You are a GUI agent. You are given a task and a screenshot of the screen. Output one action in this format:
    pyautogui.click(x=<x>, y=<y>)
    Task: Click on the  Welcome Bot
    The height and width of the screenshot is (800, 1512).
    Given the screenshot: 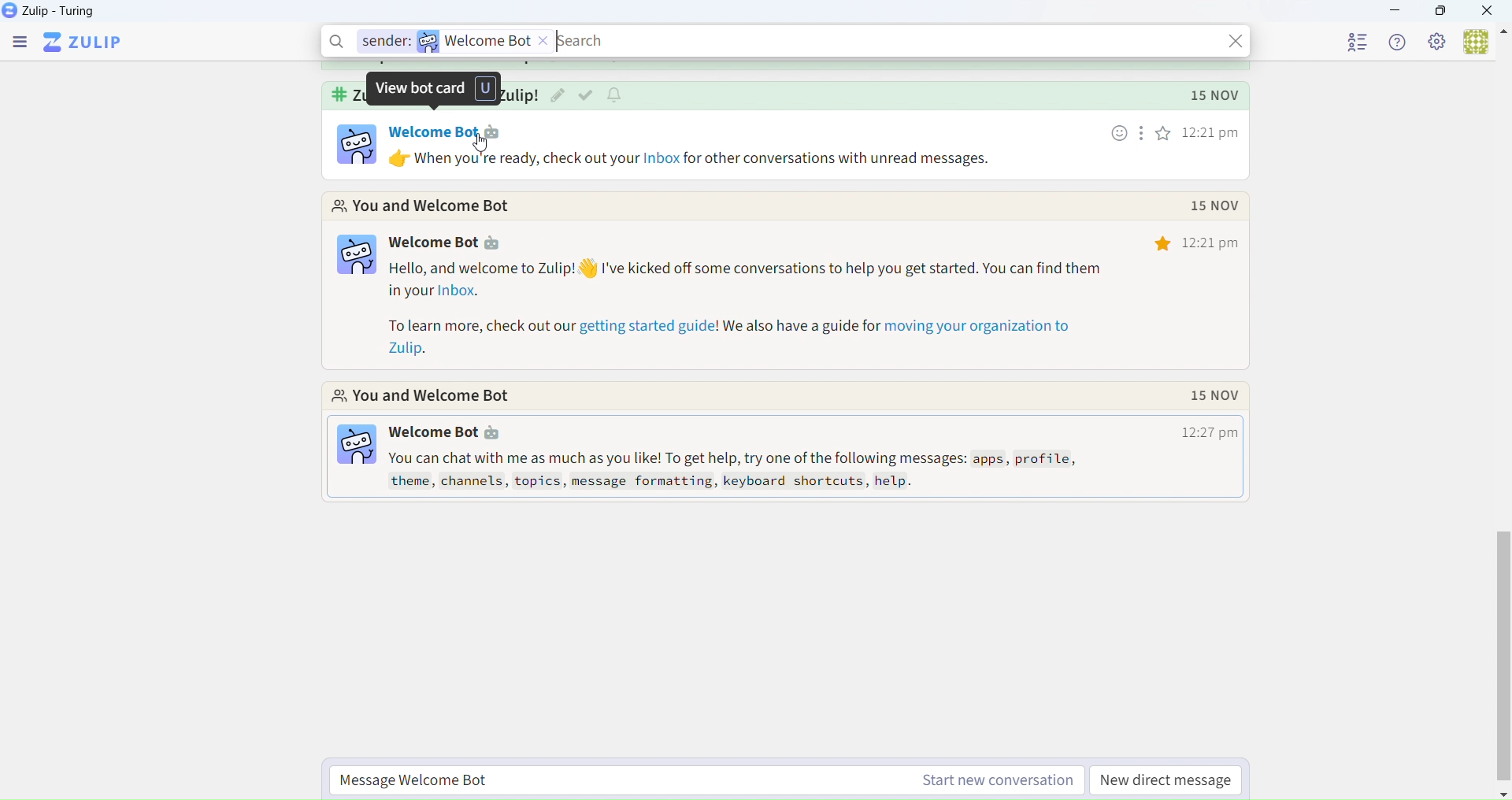 What is the action you would take?
    pyautogui.click(x=432, y=243)
    